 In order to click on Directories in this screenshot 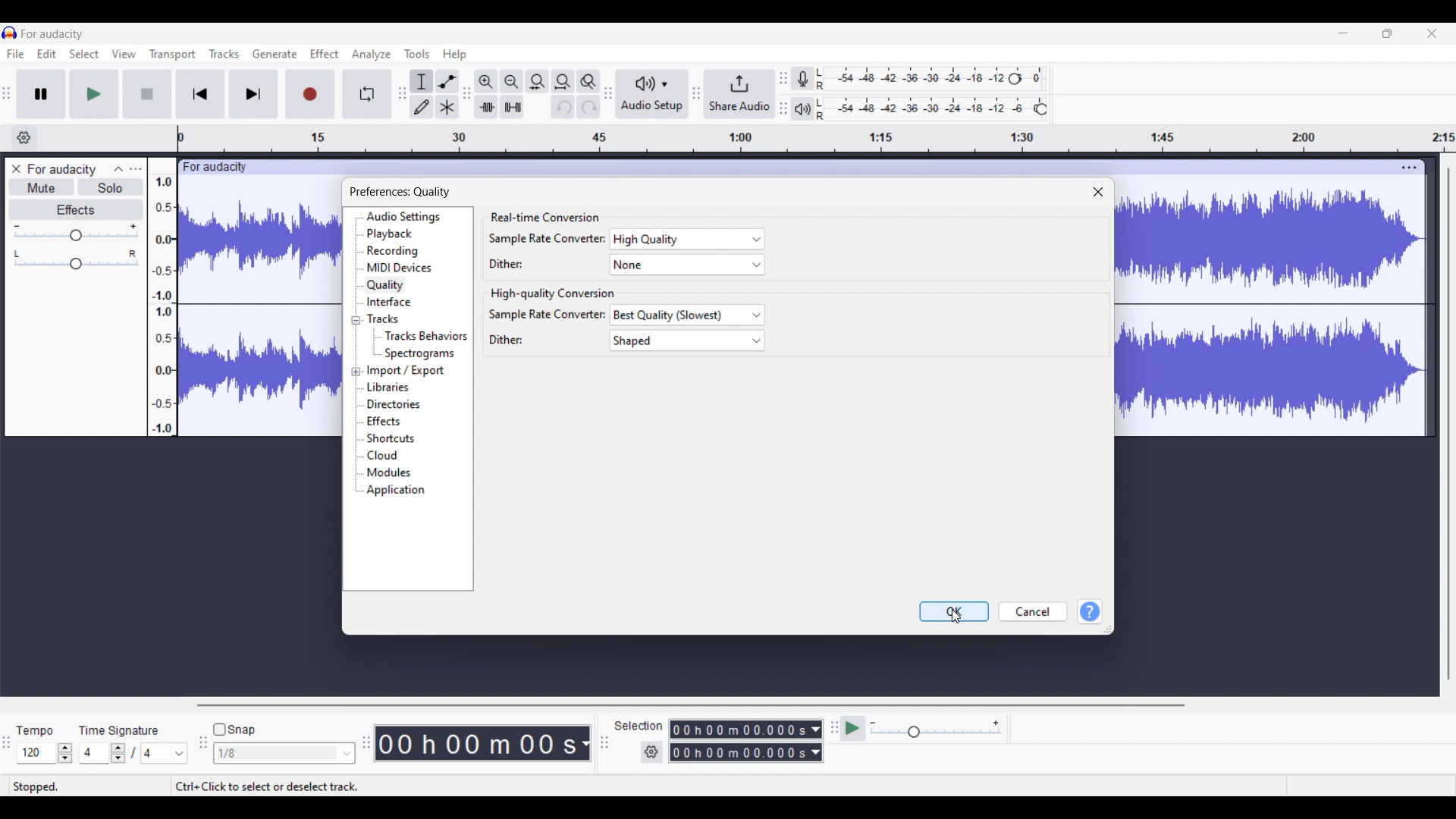, I will do `click(395, 404)`.